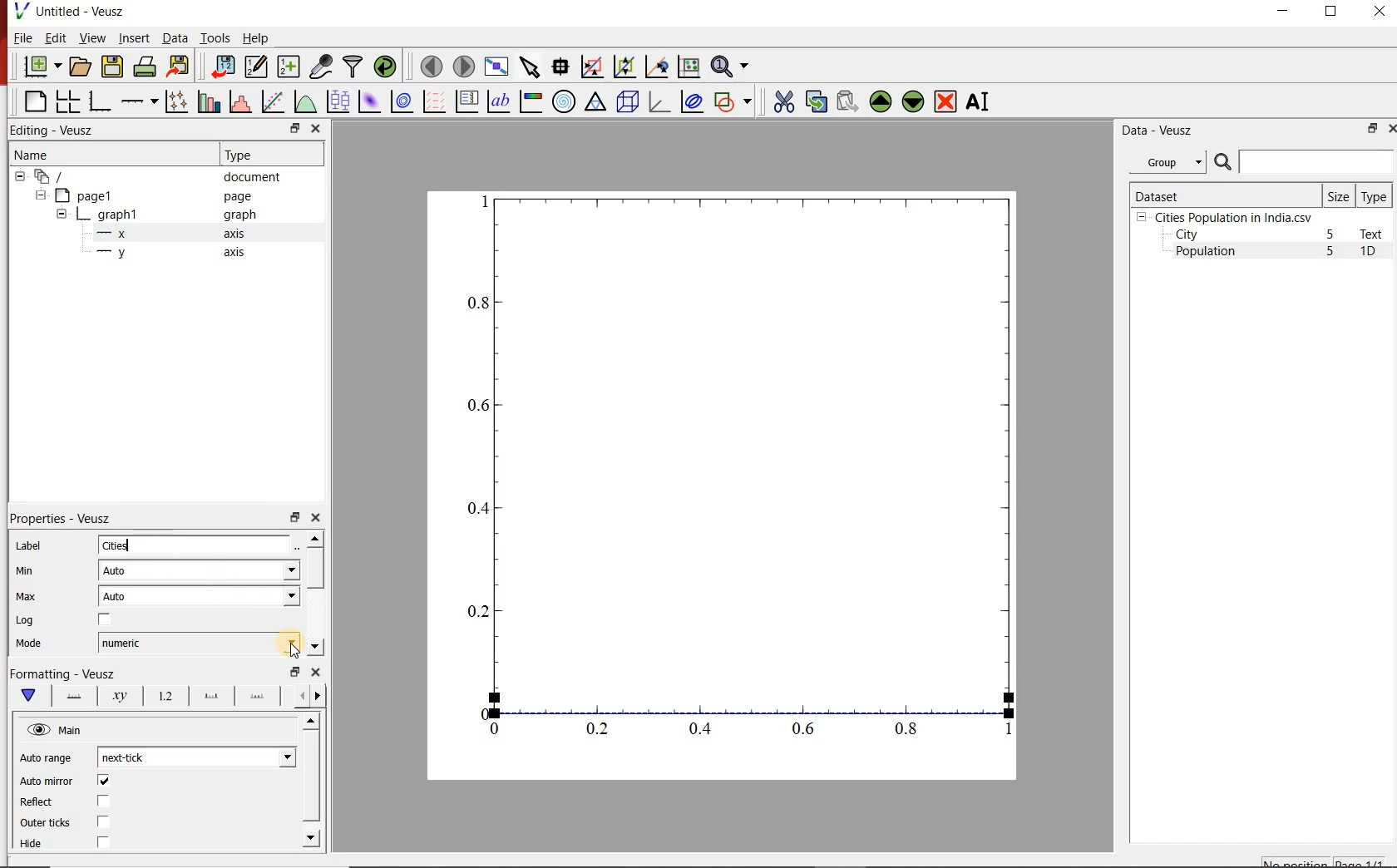  What do you see at coordinates (214, 37) in the screenshot?
I see `Tools` at bounding box center [214, 37].